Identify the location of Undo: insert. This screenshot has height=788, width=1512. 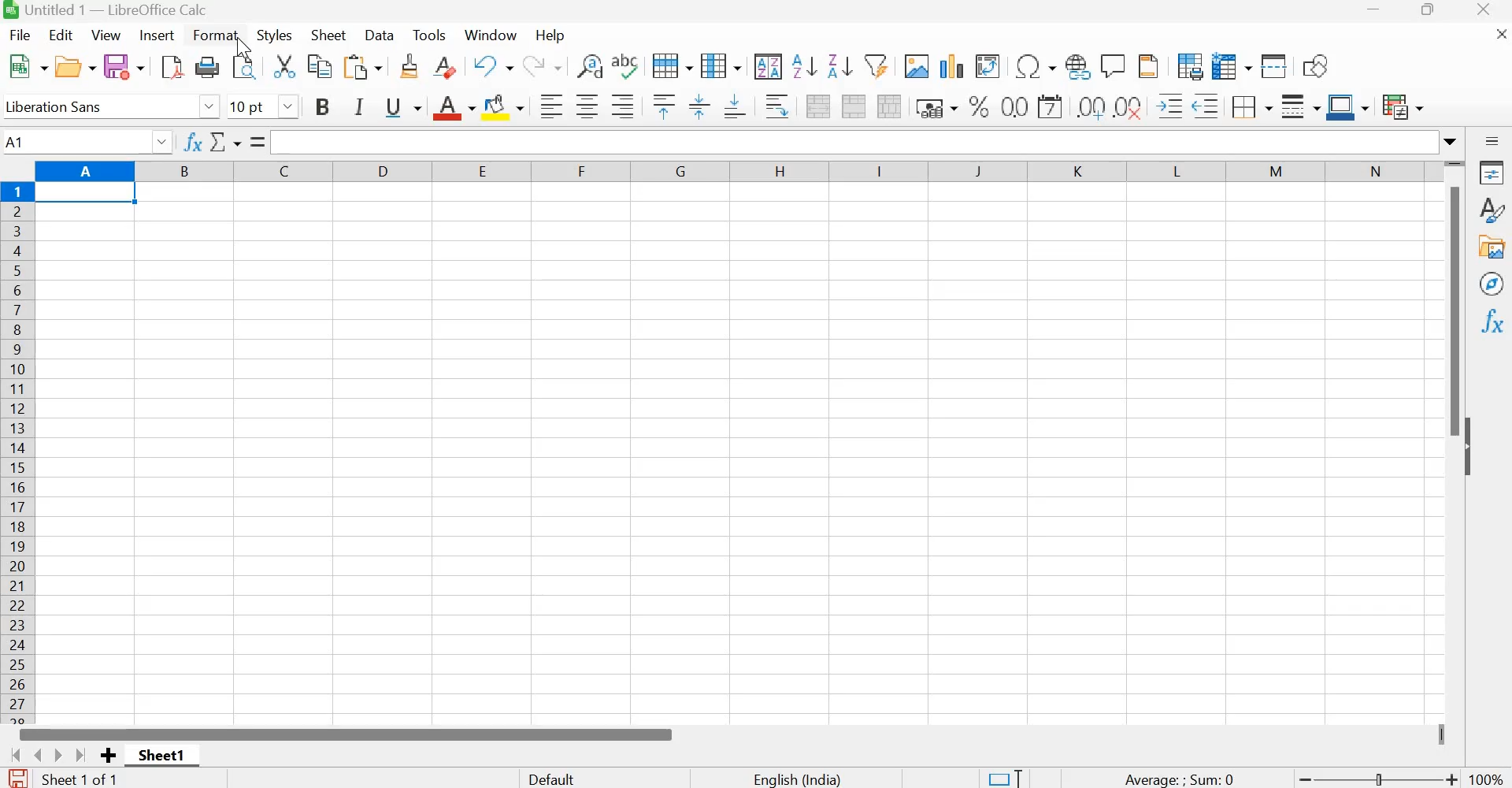
(491, 66).